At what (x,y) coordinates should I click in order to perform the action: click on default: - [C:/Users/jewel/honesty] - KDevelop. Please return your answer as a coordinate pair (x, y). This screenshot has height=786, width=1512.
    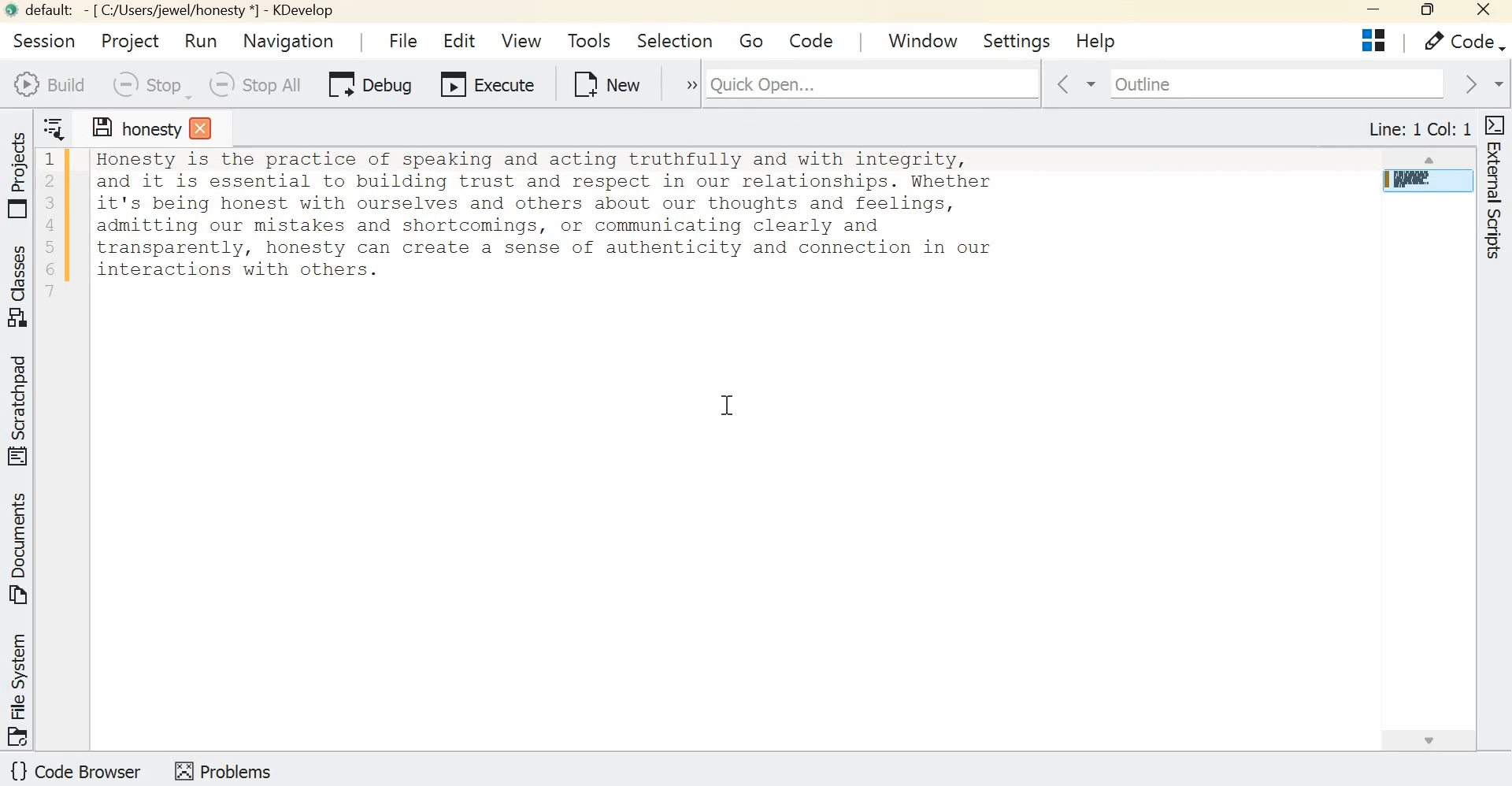
    Looking at the image, I should click on (175, 11).